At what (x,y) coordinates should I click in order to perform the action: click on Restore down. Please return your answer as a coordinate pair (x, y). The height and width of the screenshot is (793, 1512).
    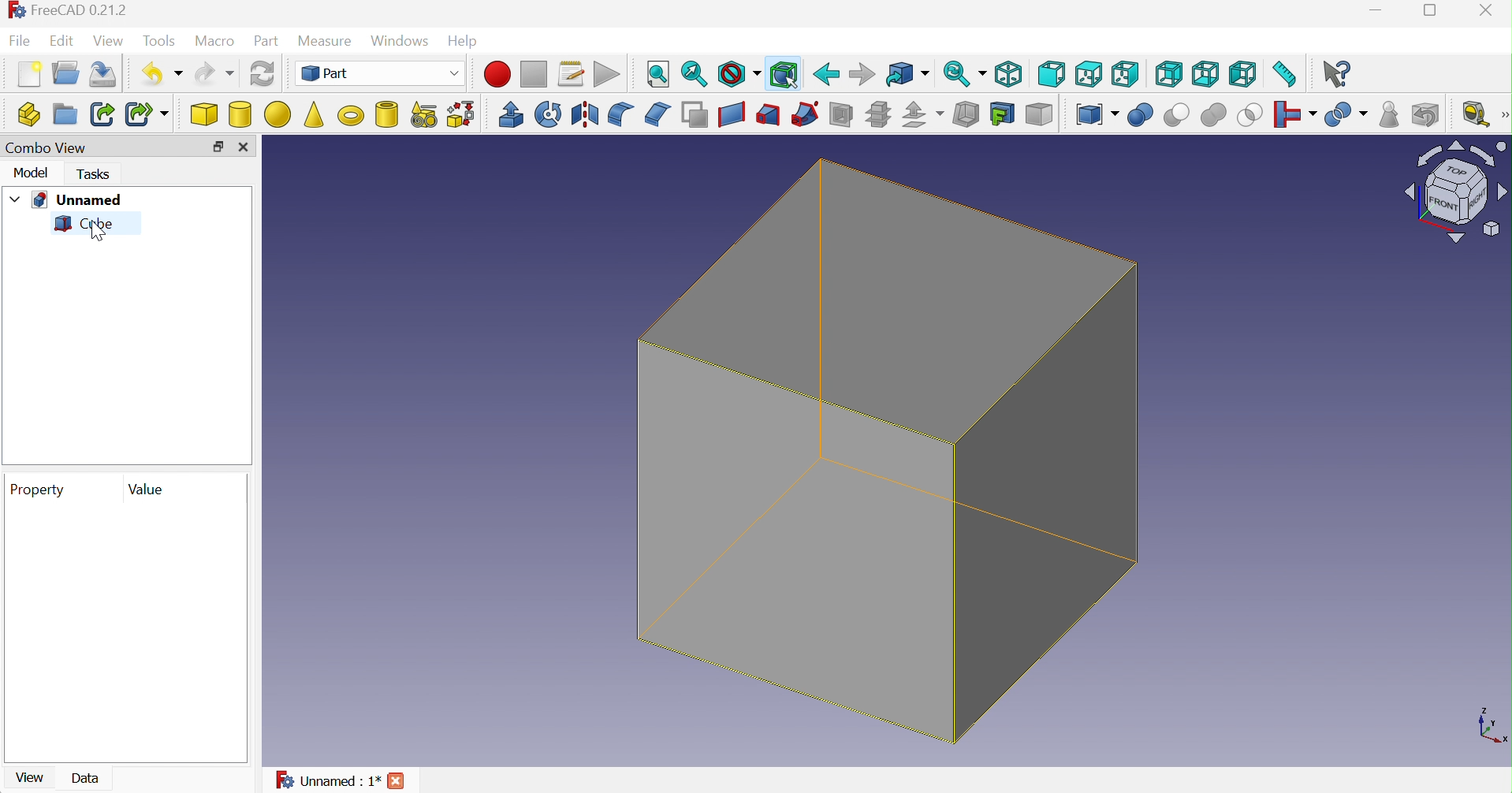
    Looking at the image, I should click on (222, 148).